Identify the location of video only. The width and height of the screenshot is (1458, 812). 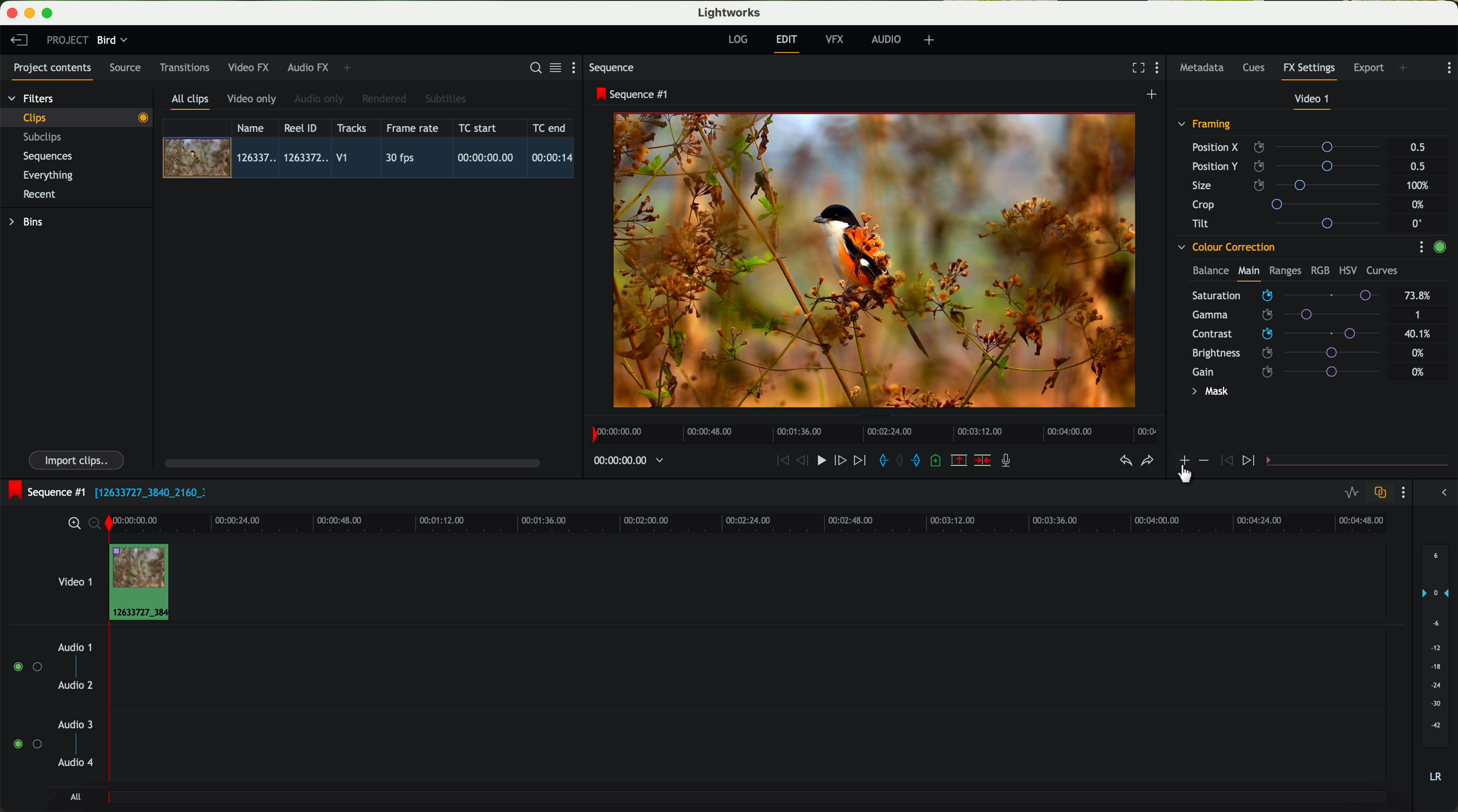
(251, 100).